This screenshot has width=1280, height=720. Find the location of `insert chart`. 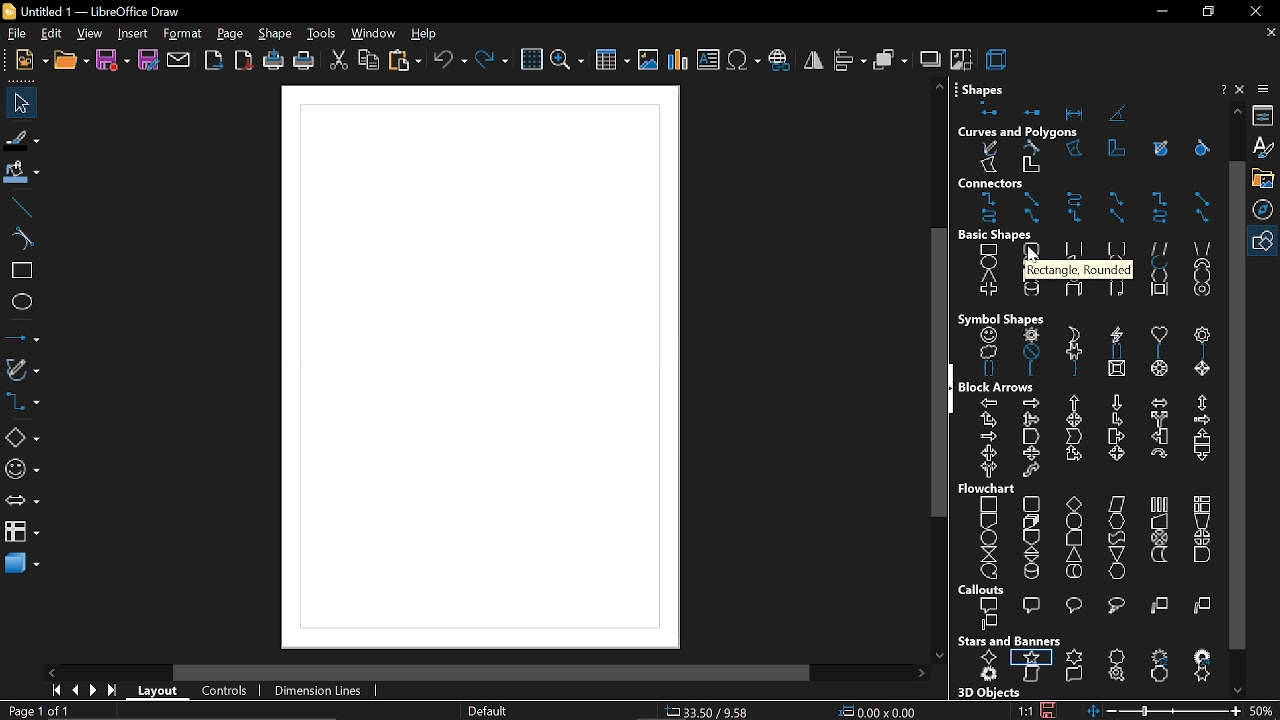

insert chart is located at coordinates (678, 60).